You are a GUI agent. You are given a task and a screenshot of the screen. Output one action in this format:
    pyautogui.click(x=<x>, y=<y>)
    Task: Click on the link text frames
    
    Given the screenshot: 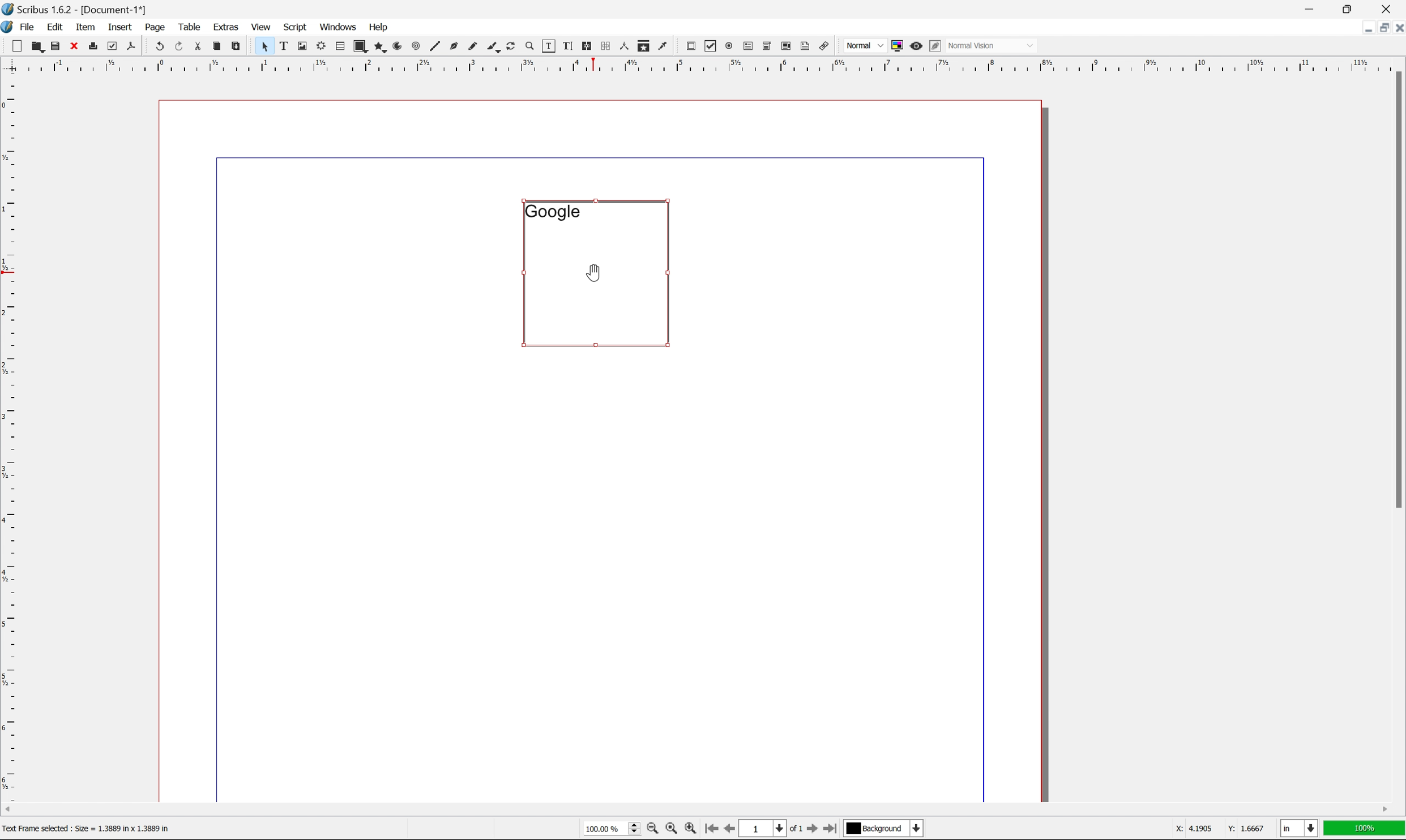 What is the action you would take?
    pyautogui.click(x=585, y=46)
    